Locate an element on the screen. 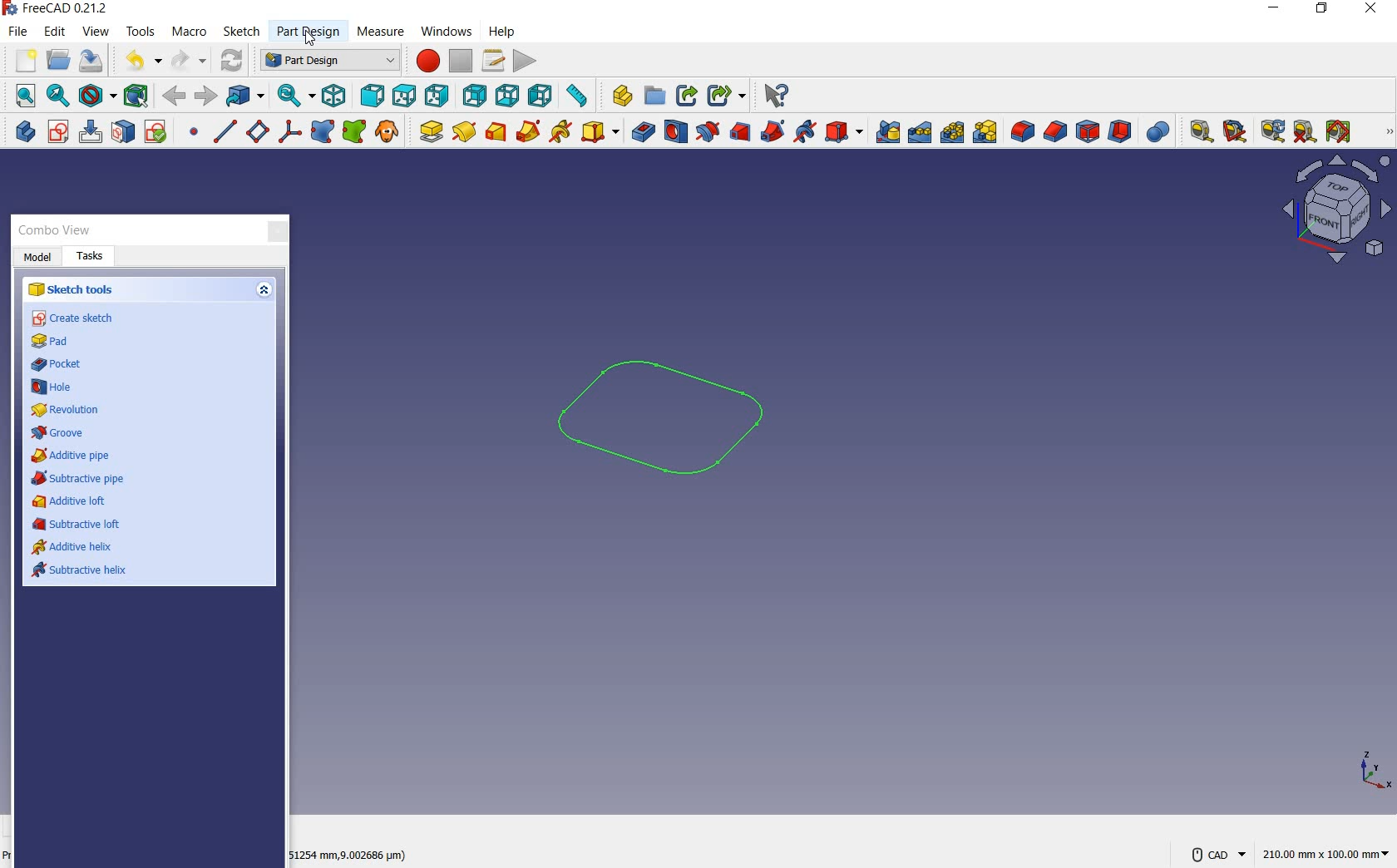 Image resolution: width=1397 pixels, height=868 pixels. measure linear is located at coordinates (1198, 131).